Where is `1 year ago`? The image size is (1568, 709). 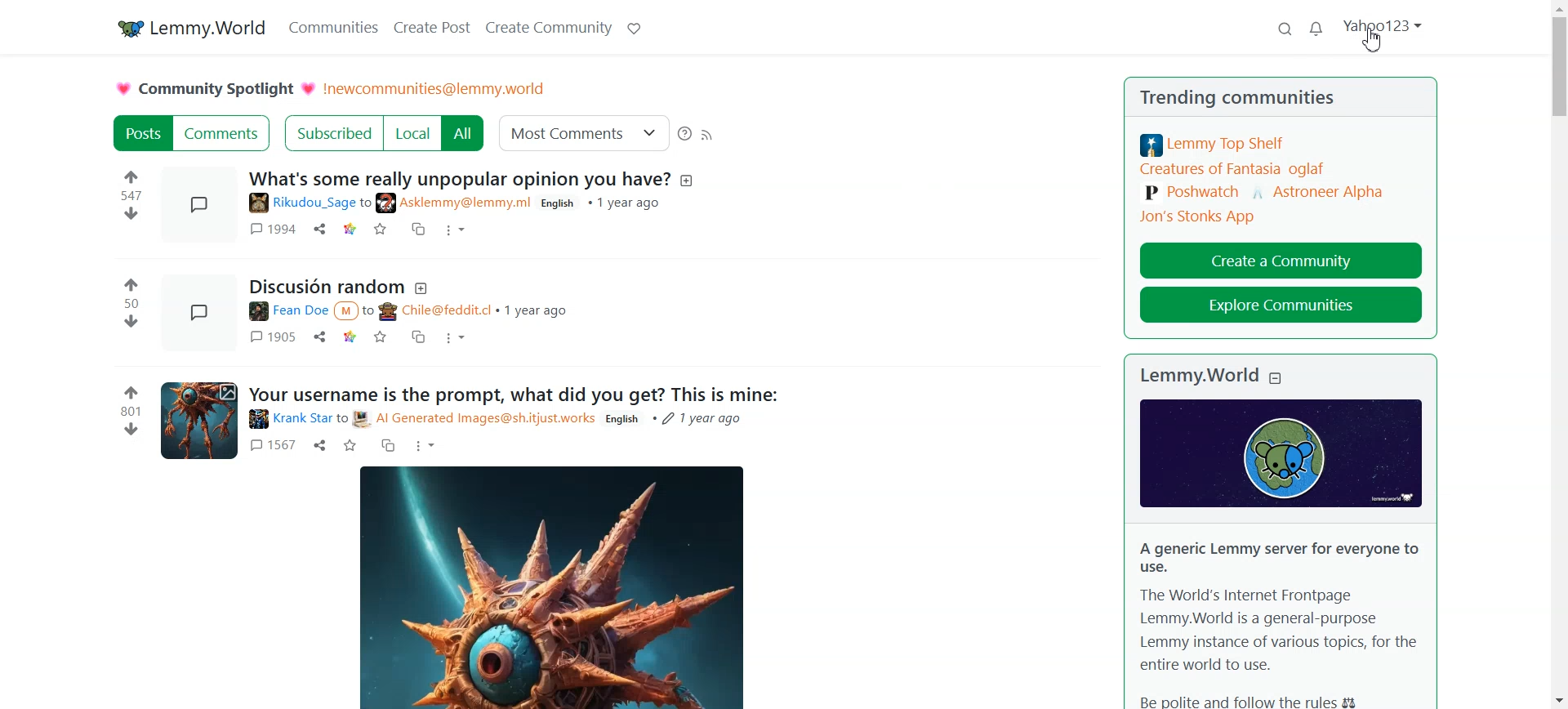
1 year ago is located at coordinates (537, 310).